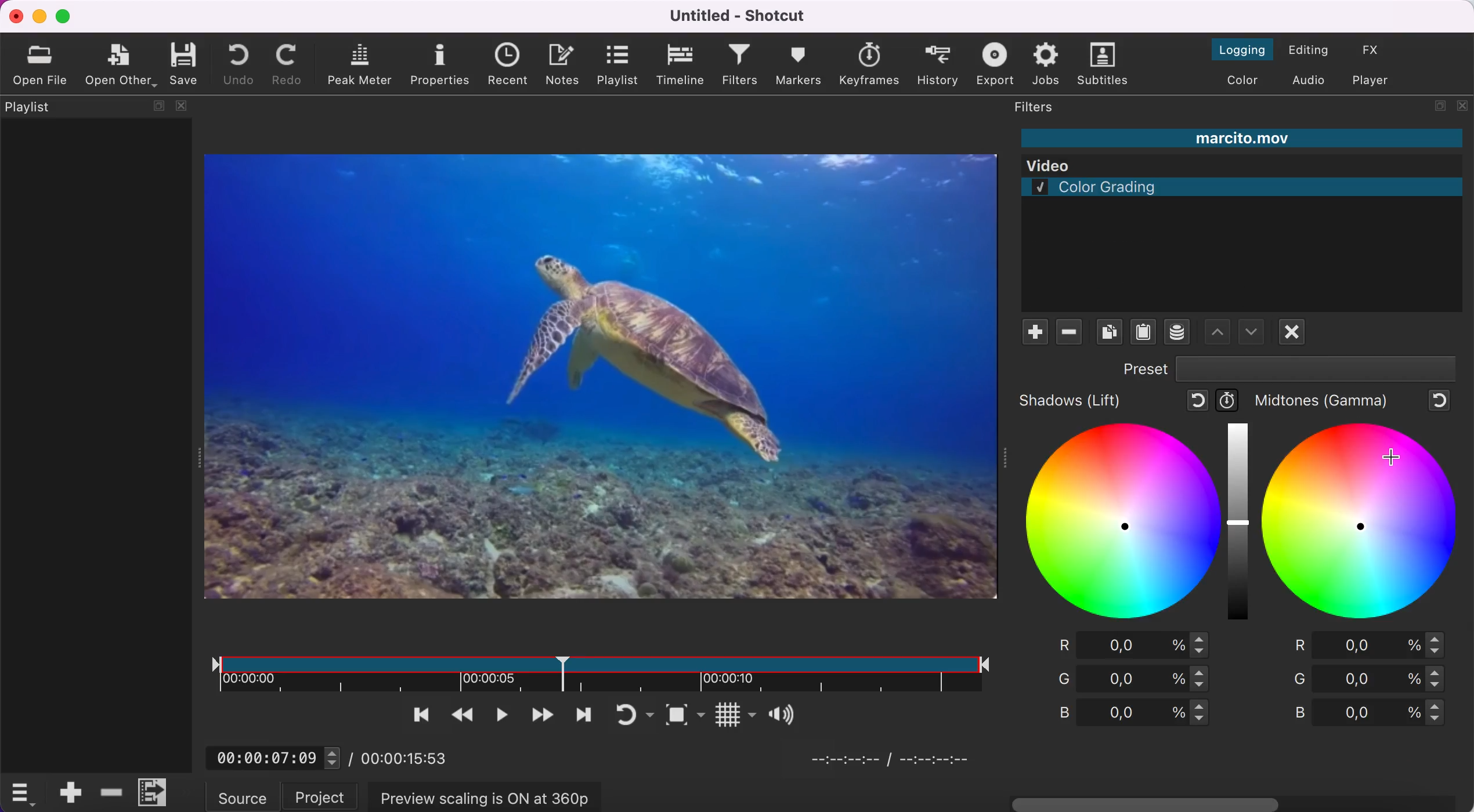  What do you see at coordinates (1192, 401) in the screenshot?
I see `reset to default` at bounding box center [1192, 401].